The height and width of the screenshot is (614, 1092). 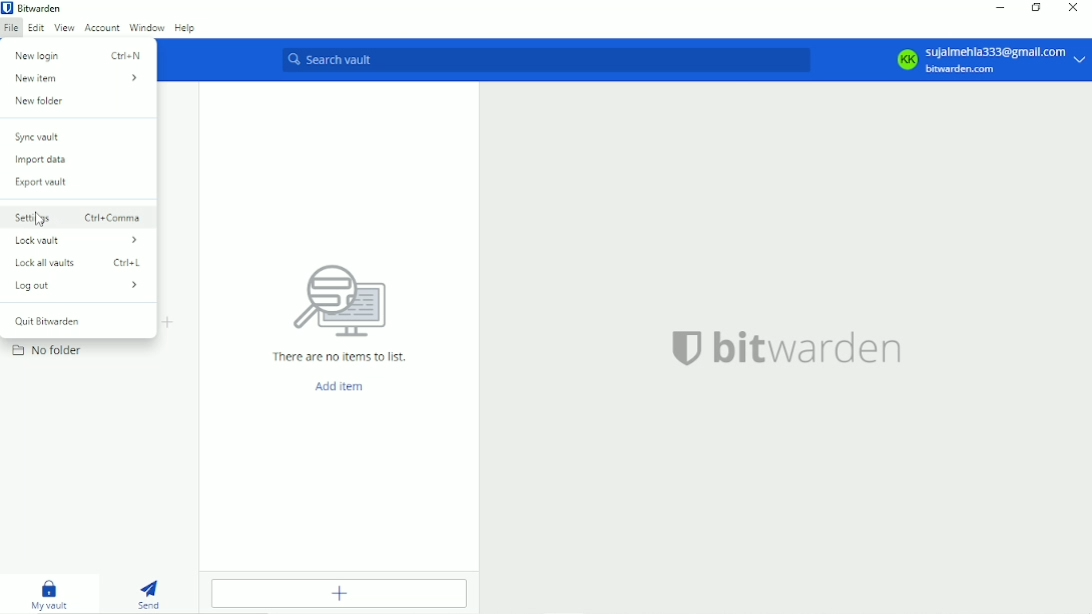 I want to click on Send, so click(x=150, y=592).